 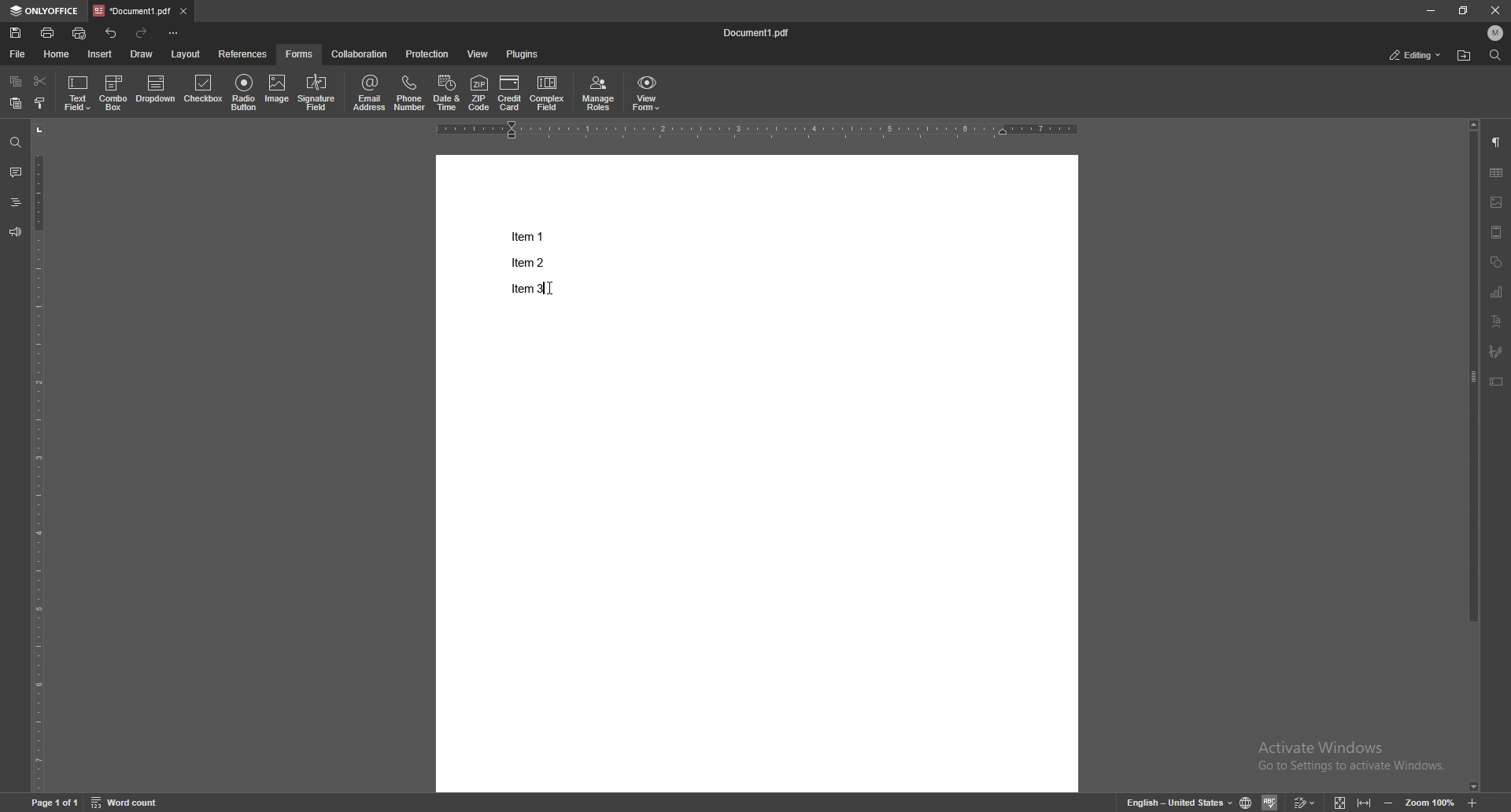 What do you see at coordinates (1497, 172) in the screenshot?
I see `chart` at bounding box center [1497, 172].